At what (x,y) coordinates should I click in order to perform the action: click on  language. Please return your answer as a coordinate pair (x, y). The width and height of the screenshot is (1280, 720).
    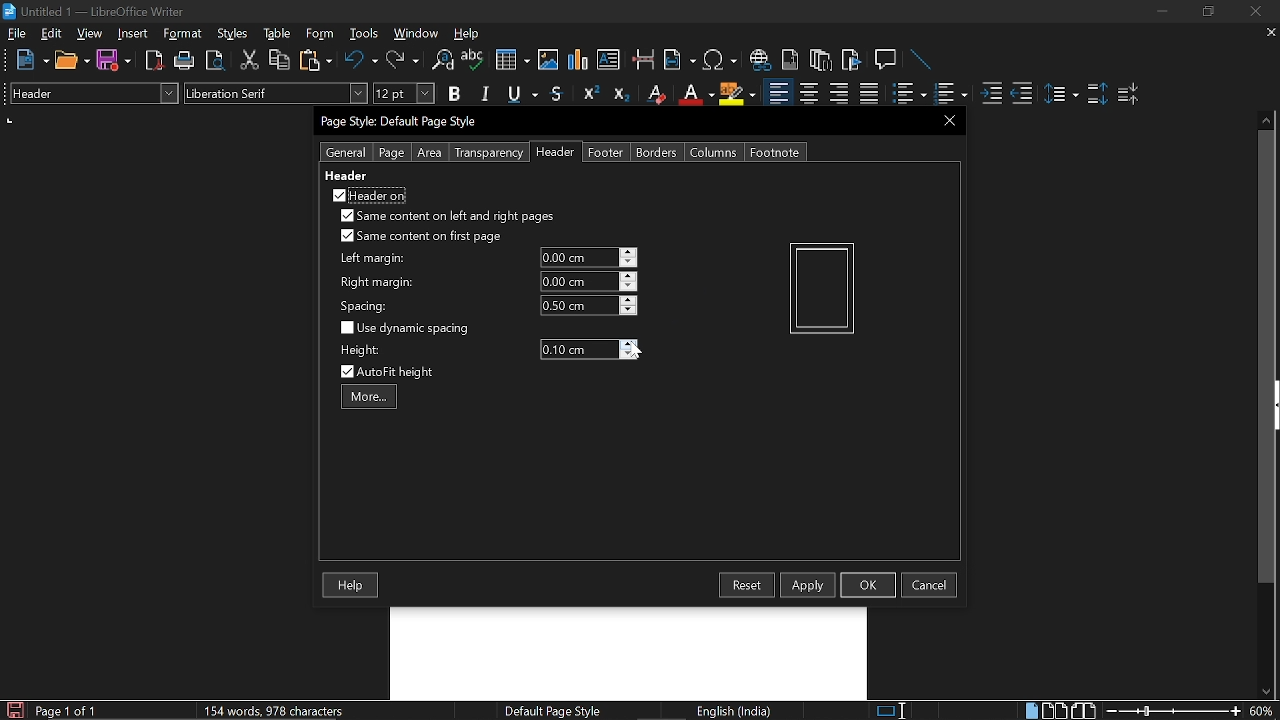
    Looking at the image, I should click on (736, 711).